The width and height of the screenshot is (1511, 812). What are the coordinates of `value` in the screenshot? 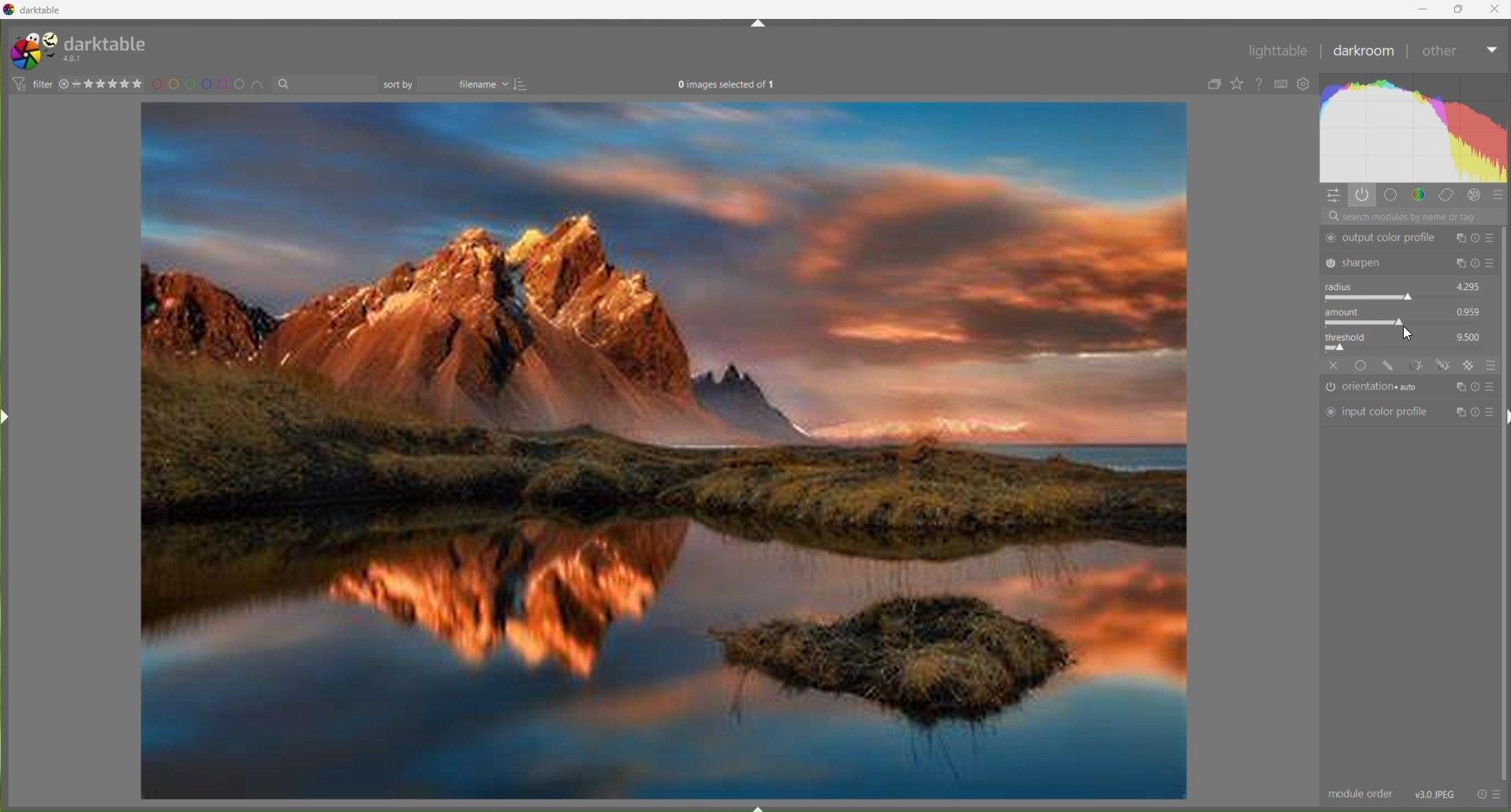 It's located at (1469, 285).